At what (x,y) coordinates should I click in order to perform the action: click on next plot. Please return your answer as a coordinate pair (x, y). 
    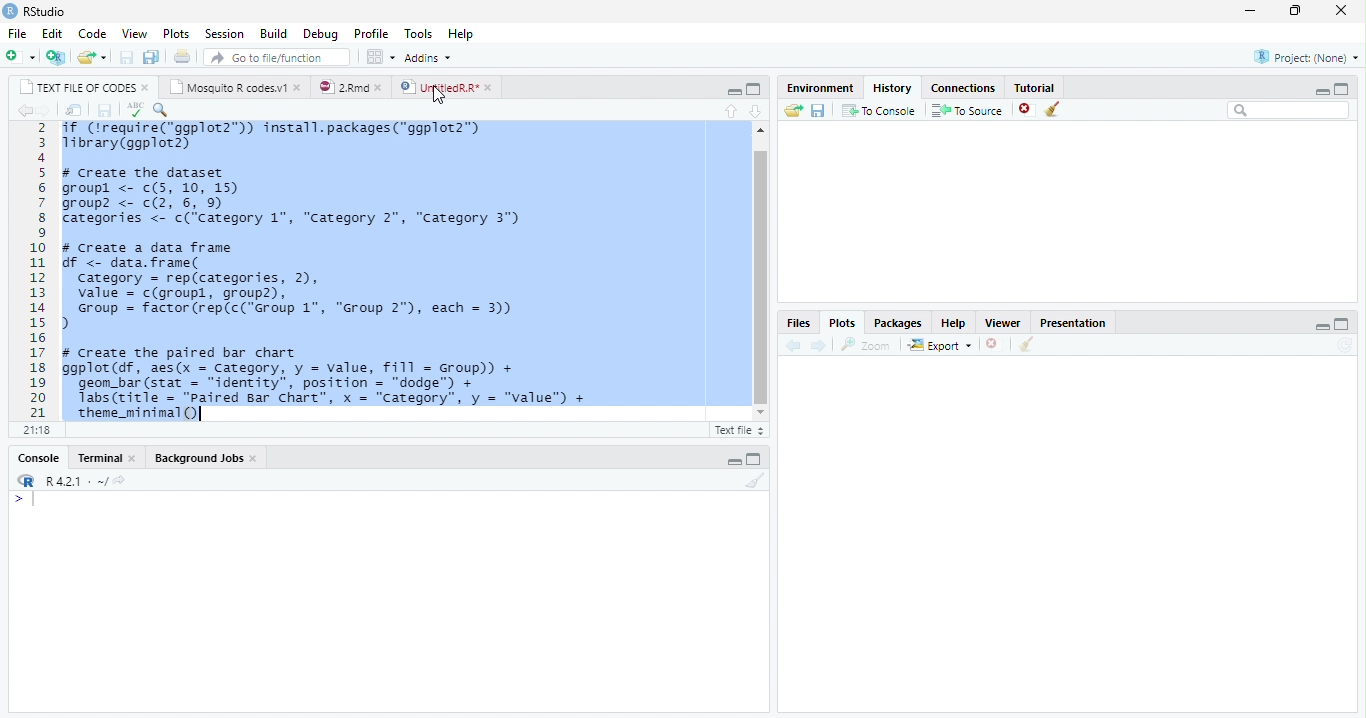
    Looking at the image, I should click on (822, 345).